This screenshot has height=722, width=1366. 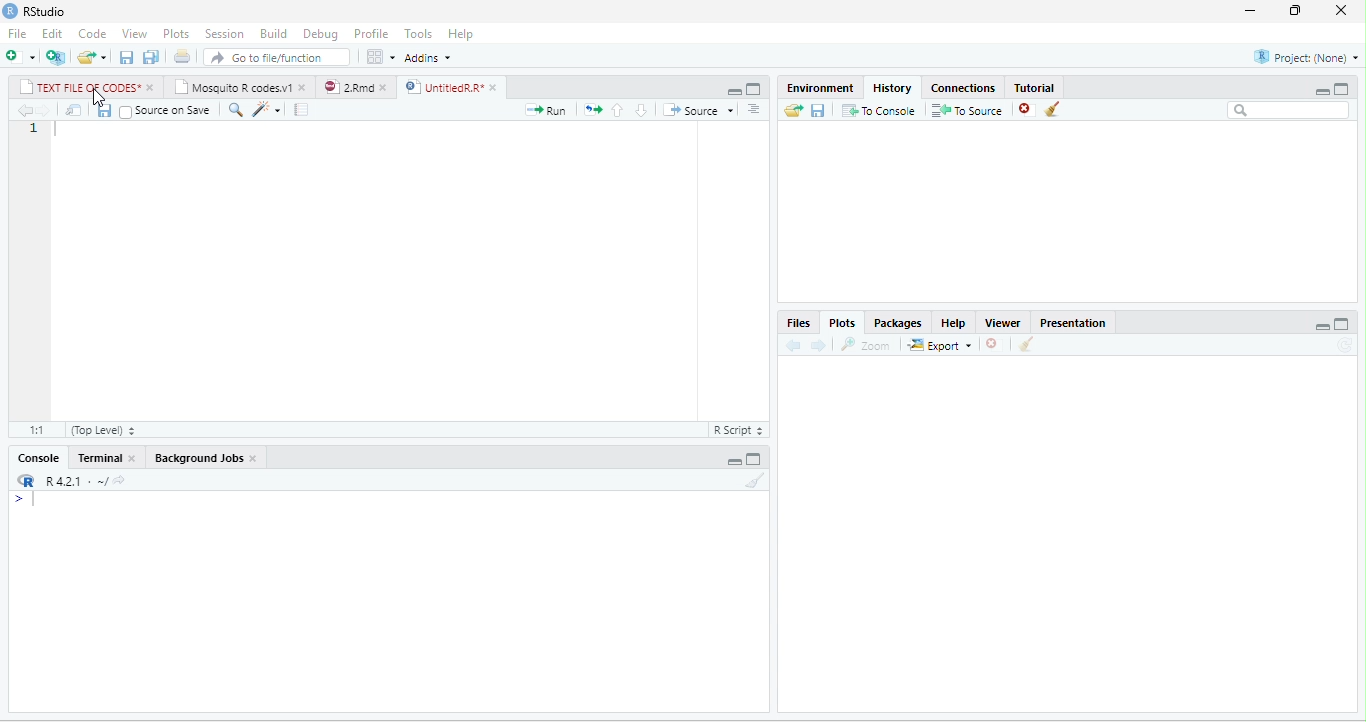 I want to click on R 4.2.1.~/, so click(x=70, y=480).